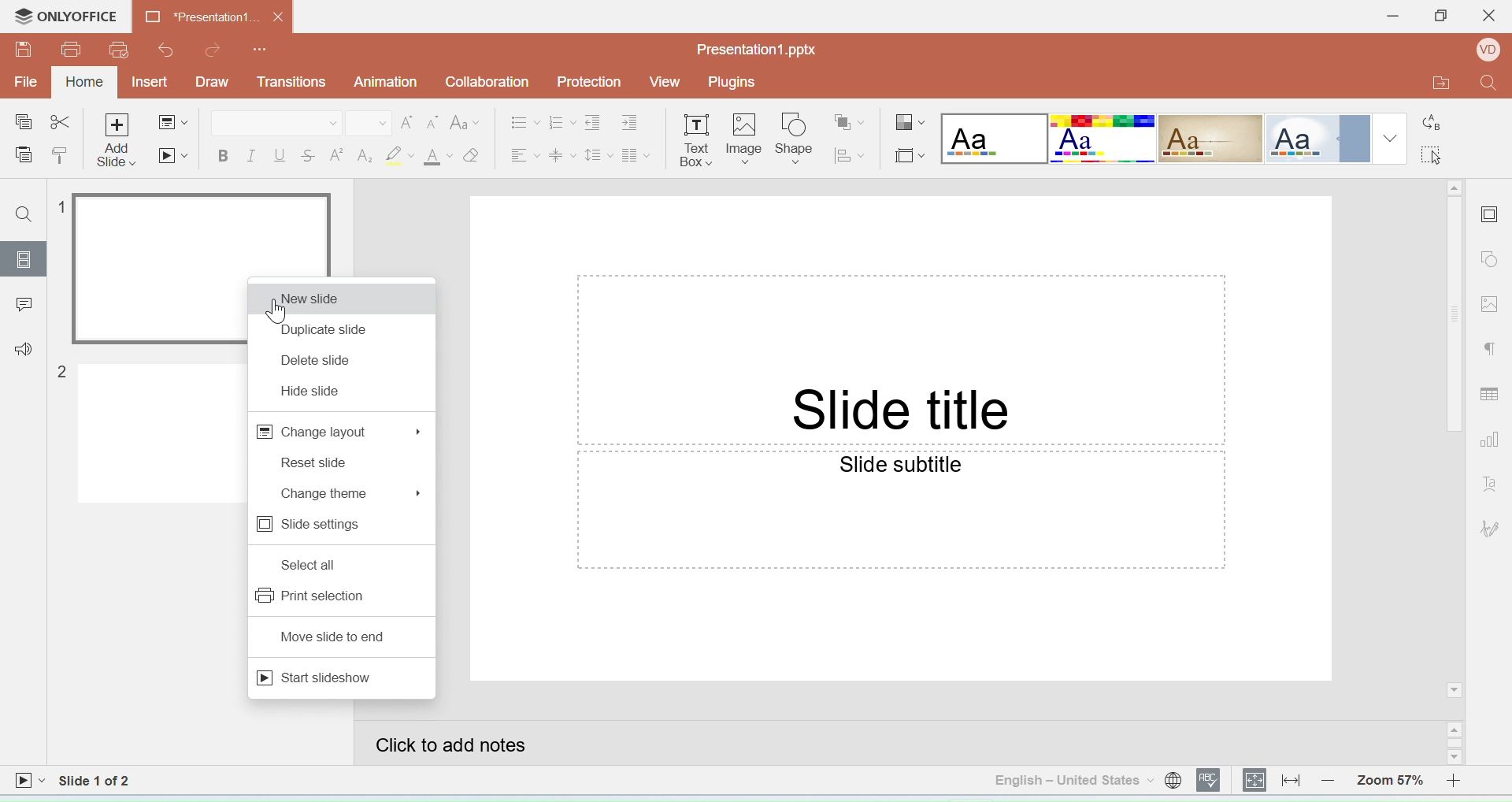 Image resolution: width=1512 pixels, height=802 pixels. I want to click on select all, so click(311, 566).